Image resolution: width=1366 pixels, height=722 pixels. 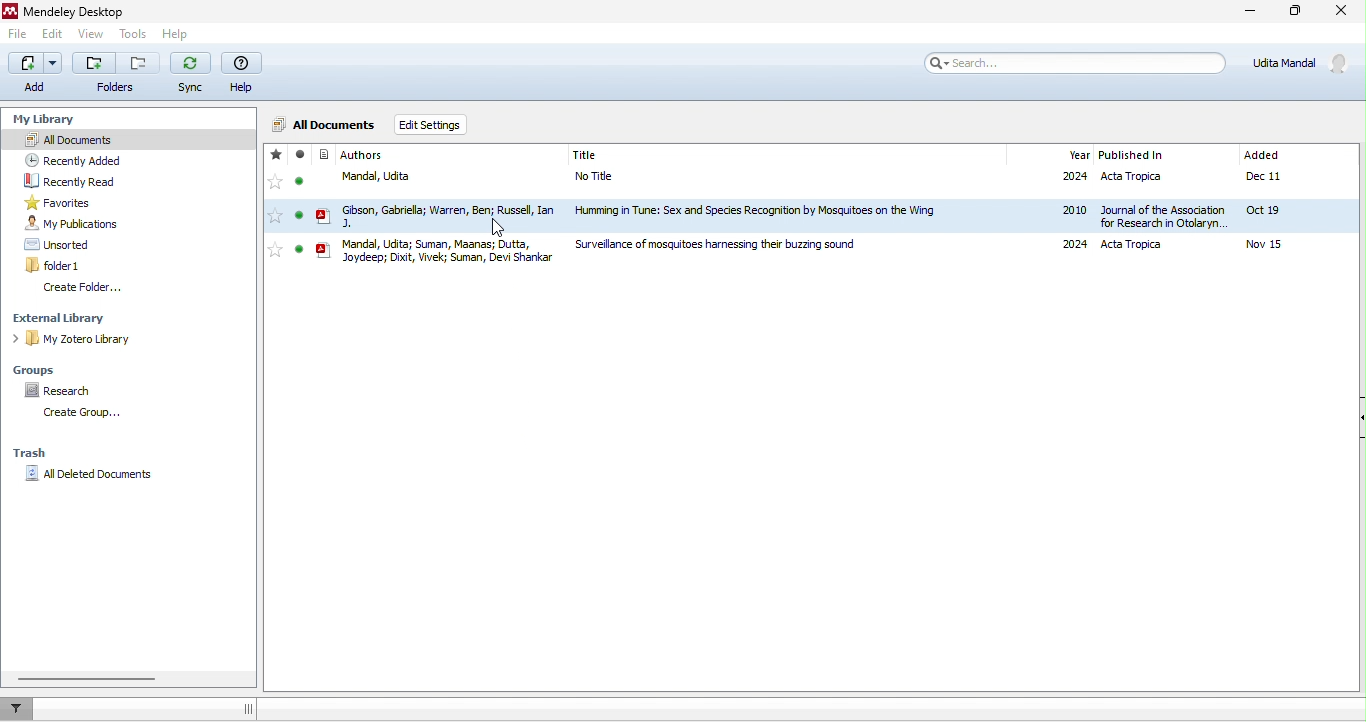 I want to click on view, so click(x=90, y=34).